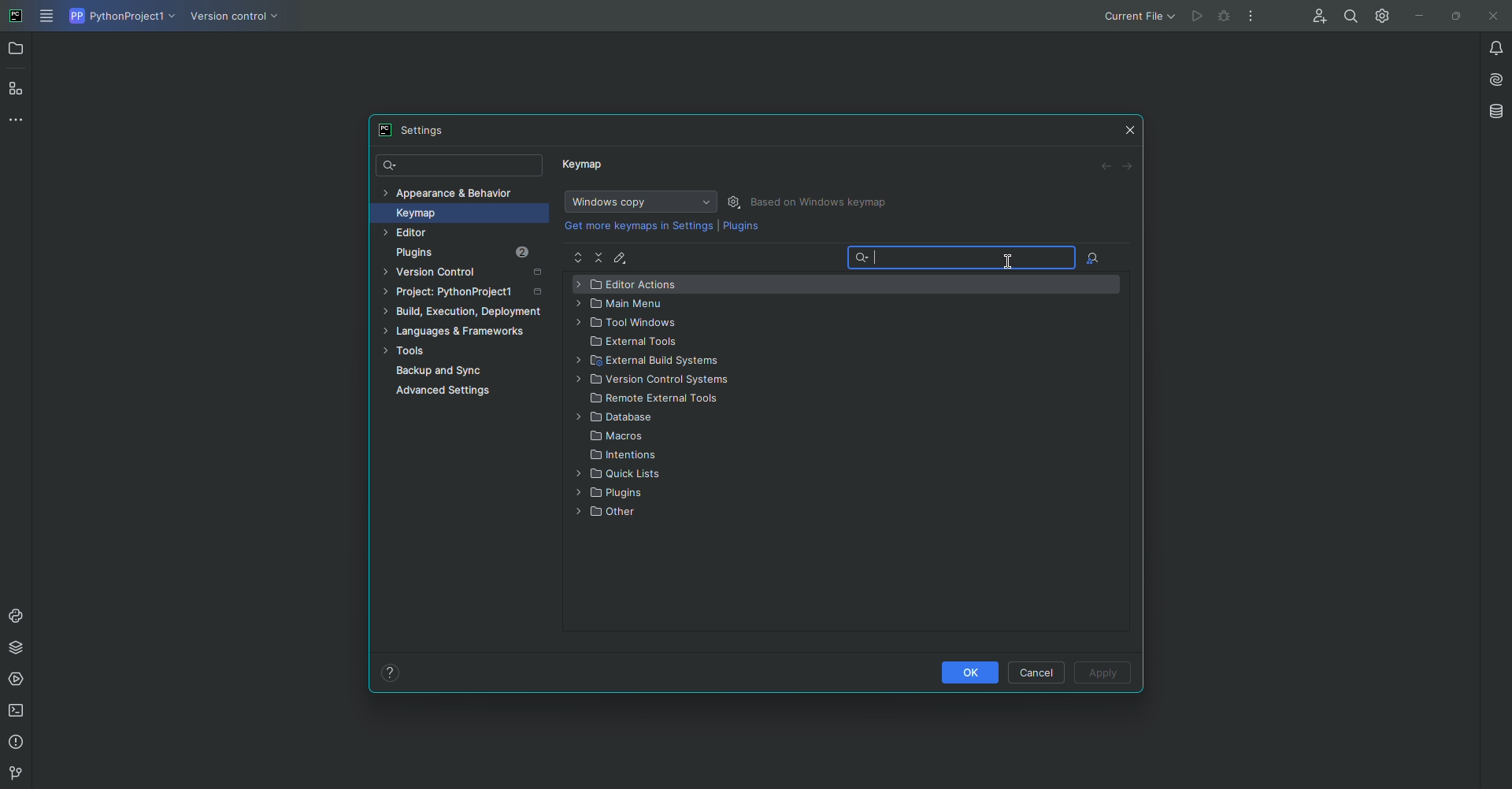 This screenshot has height=789, width=1512. I want to click on External Tools, so click(636, 343).